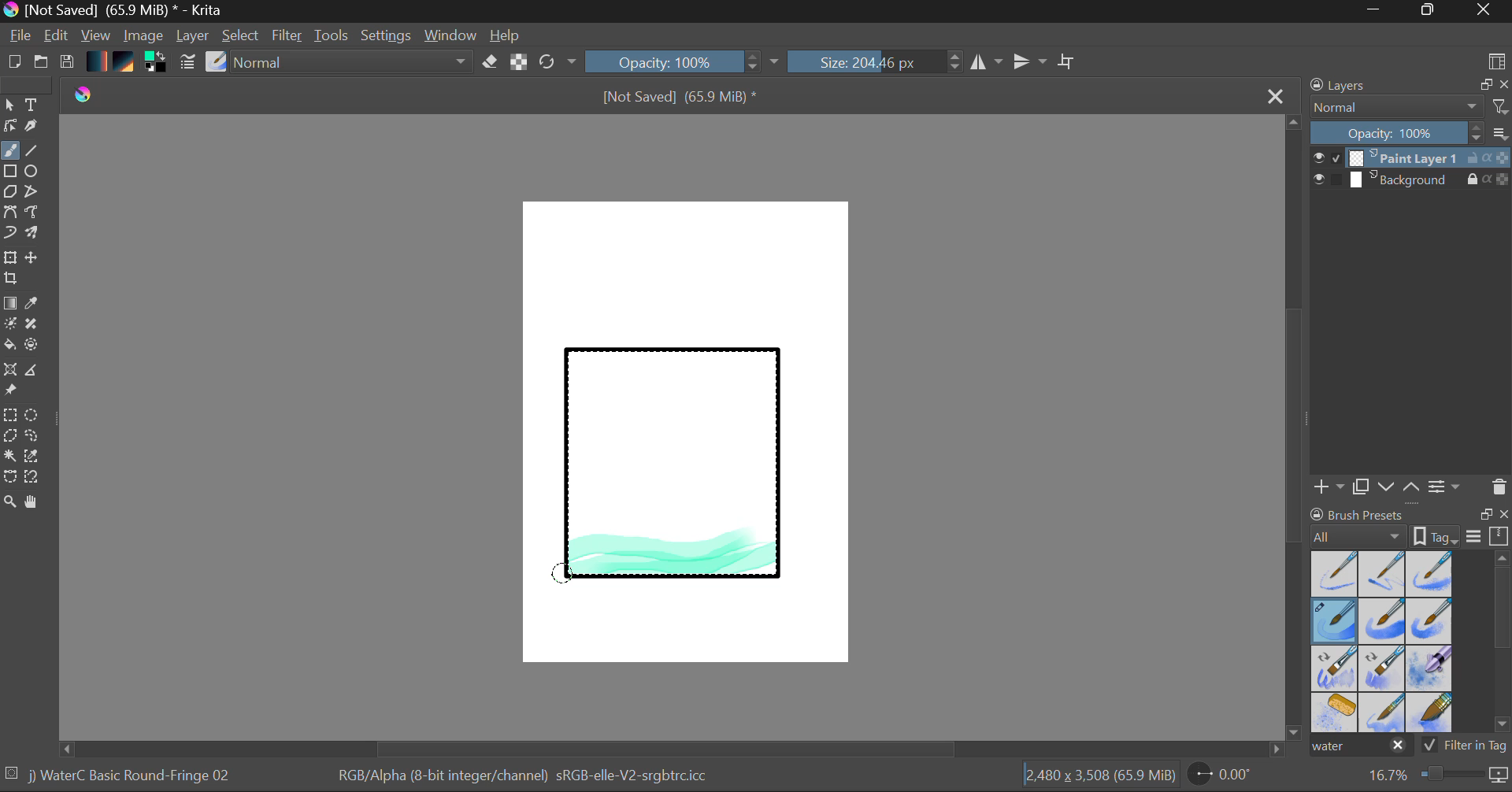 The image size is (1512, 792). Describe the element at coordinates (115, 11) in the screenshot. I see `Window Title` at that location.